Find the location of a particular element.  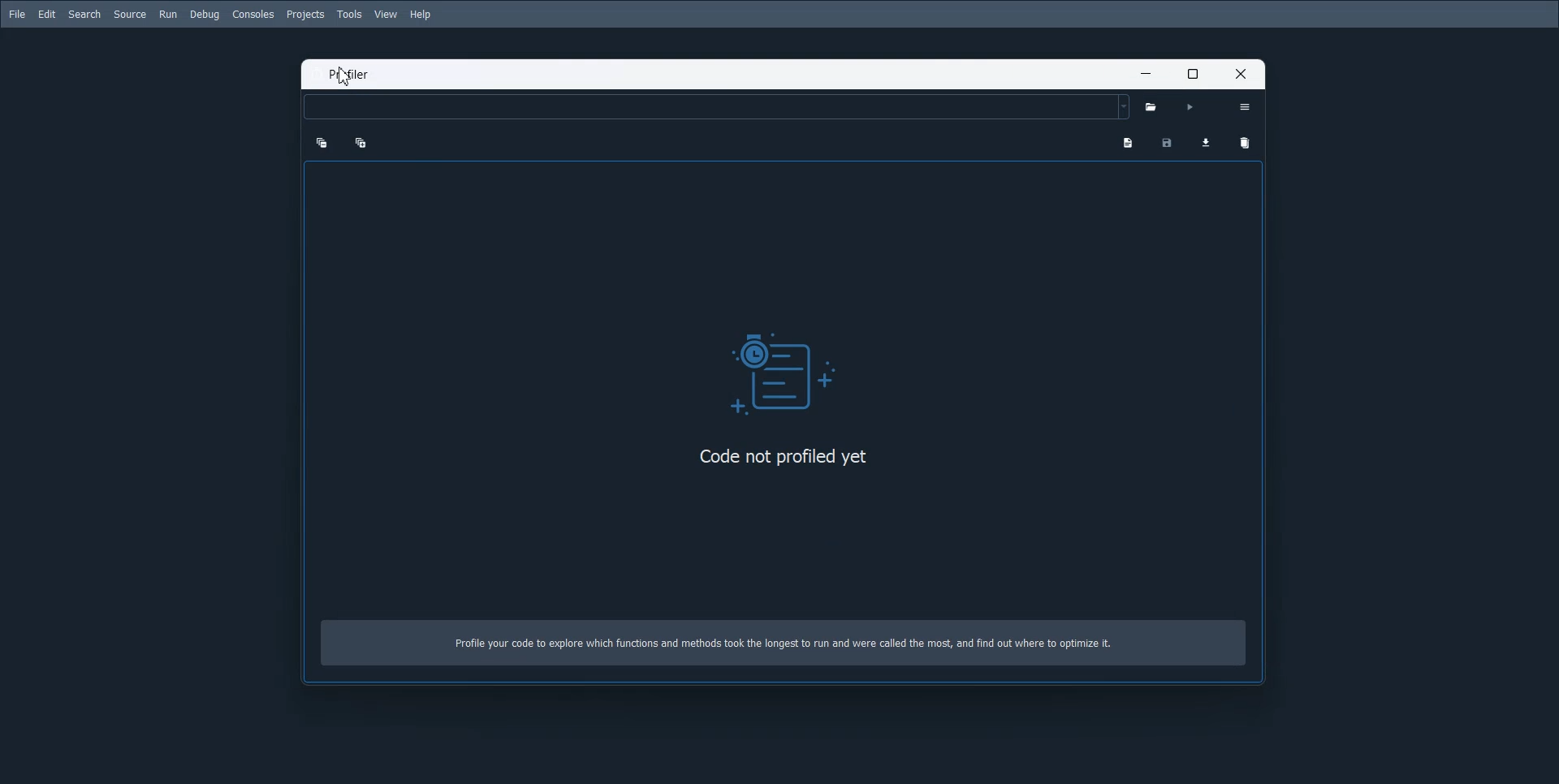

Close is located at coordinates (1245, 73).